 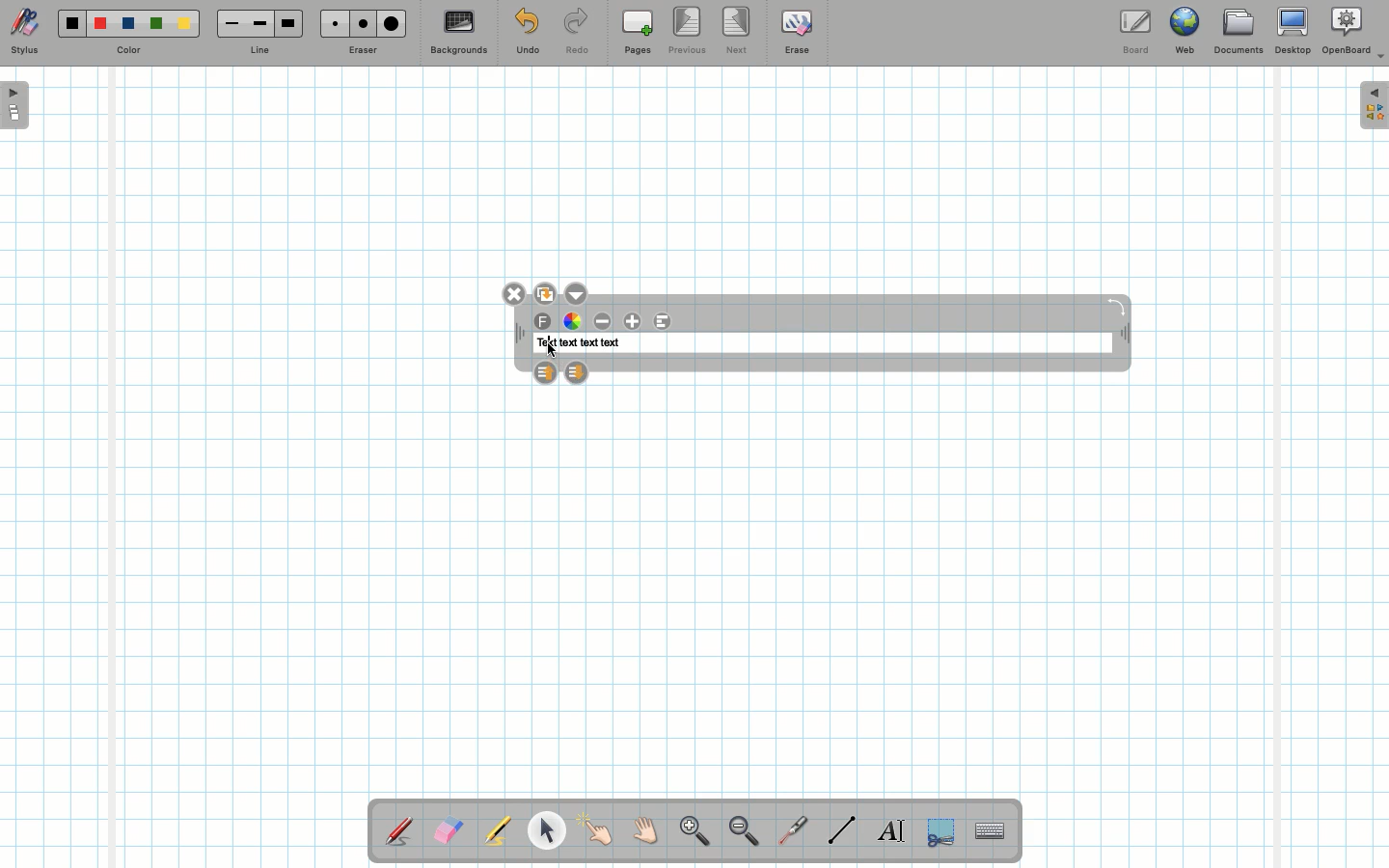 What do you see at coordinates (796, 31) in the screenshot?
I see `Erase` at bounding box center [796, 31].